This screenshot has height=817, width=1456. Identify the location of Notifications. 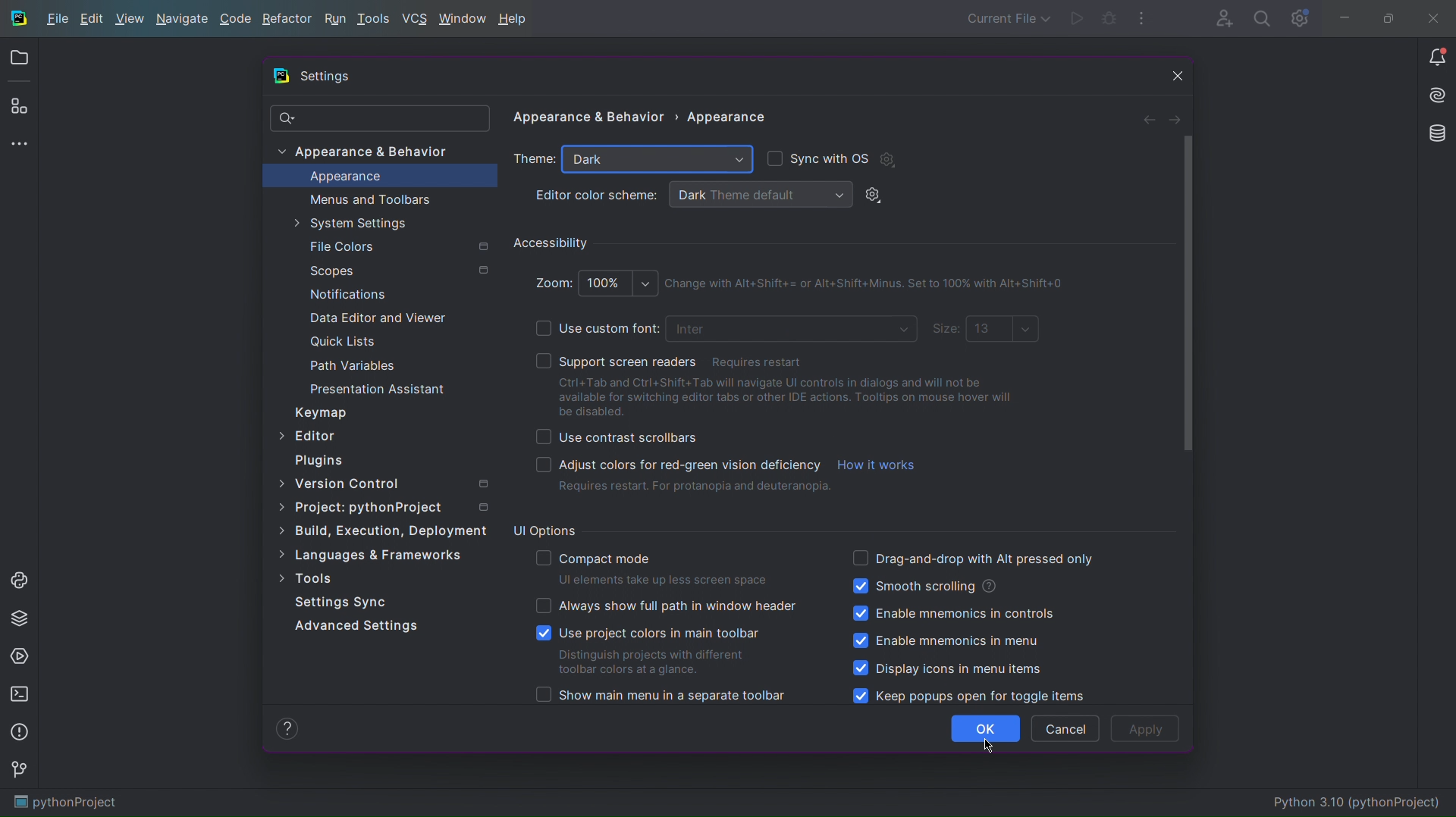
(1435, 56).